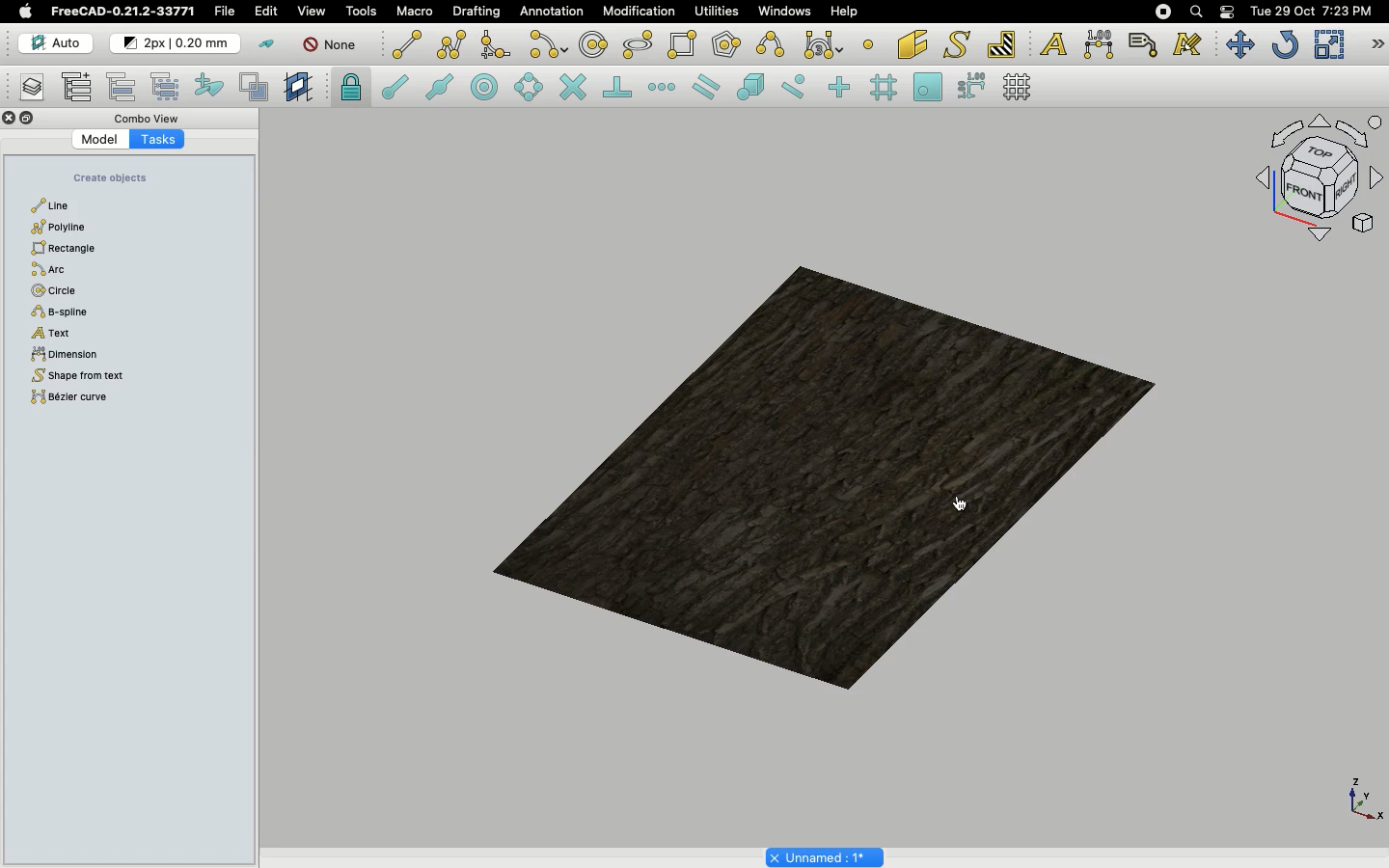 This screenshot has width=1389, height=868. I want to click on Snap special, so click(748, 85).